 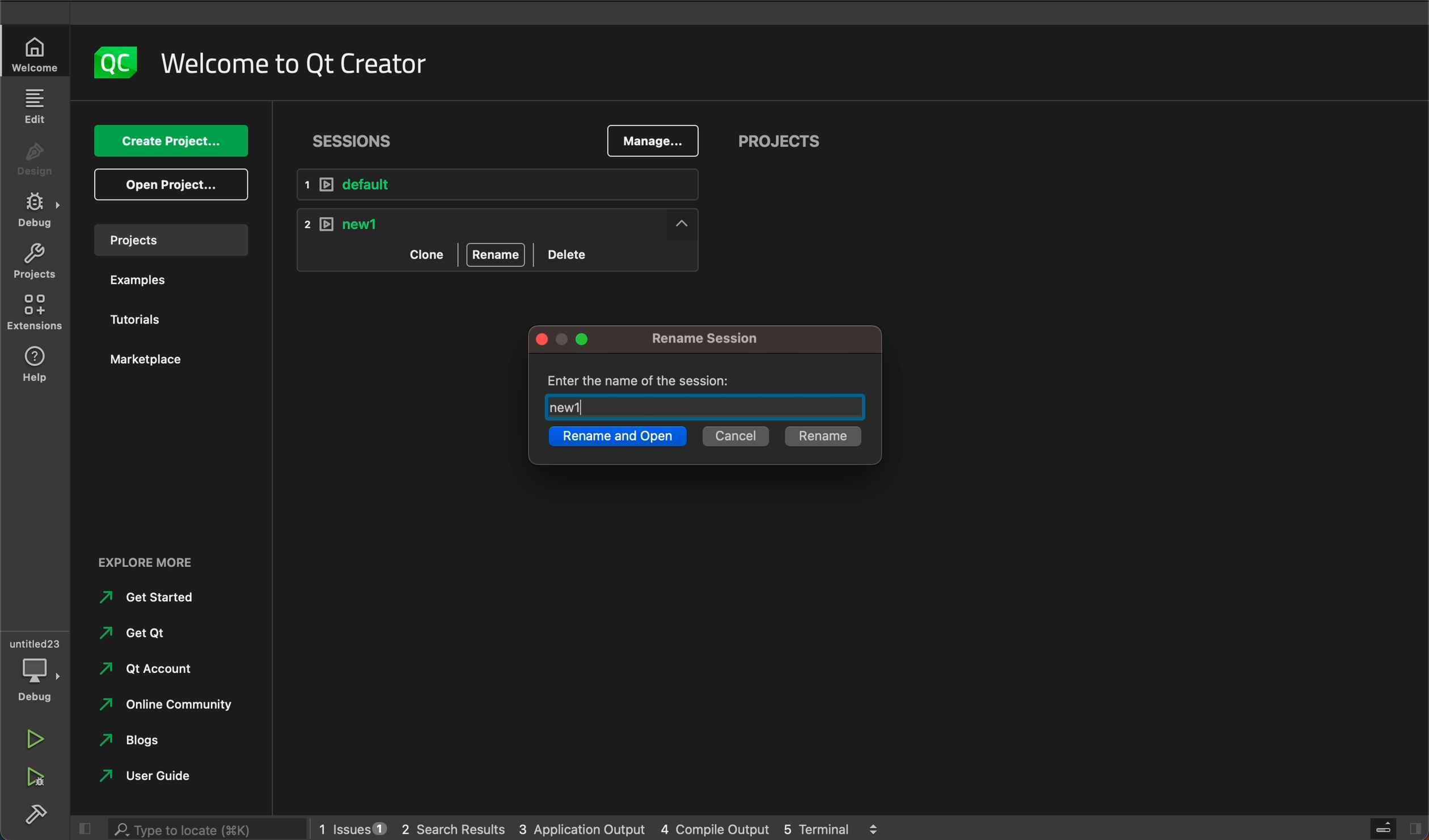 I want to click on rename, so click(x=496, y=254).